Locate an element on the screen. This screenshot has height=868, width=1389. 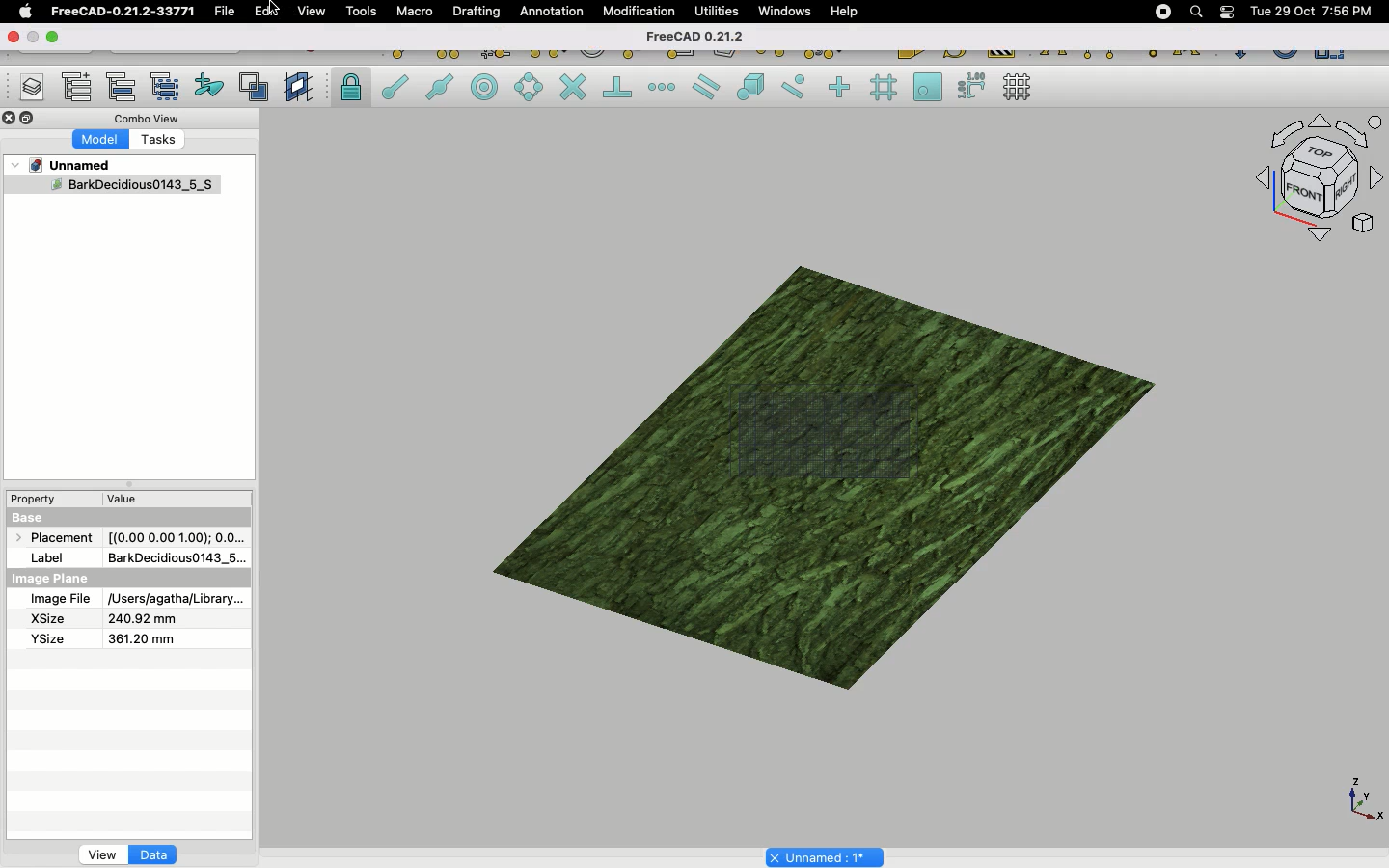
Placement is located at coordinates (58, 541).